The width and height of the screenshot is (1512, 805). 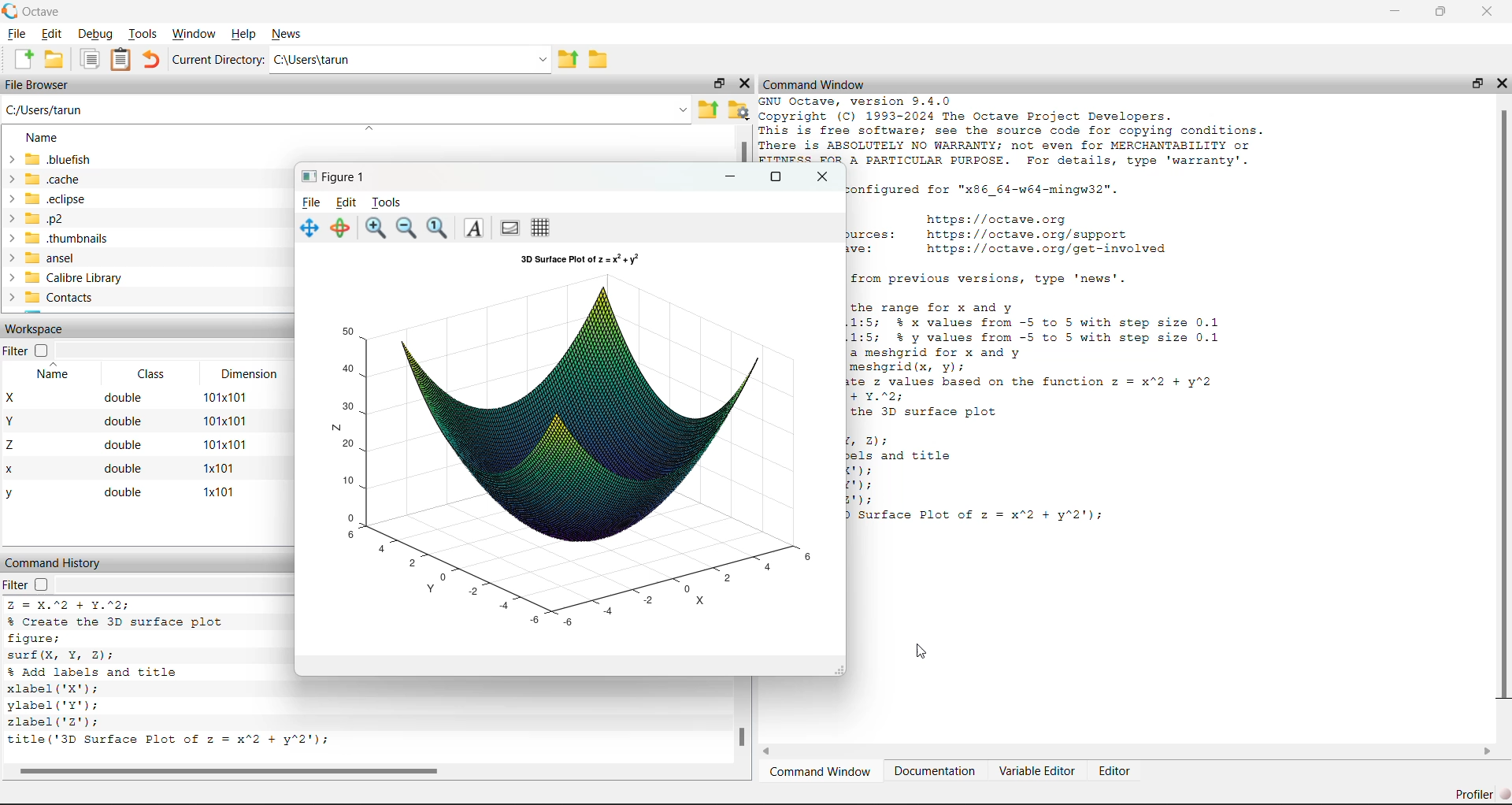 I want to click on Restore Down, so click(x=718, y=83).